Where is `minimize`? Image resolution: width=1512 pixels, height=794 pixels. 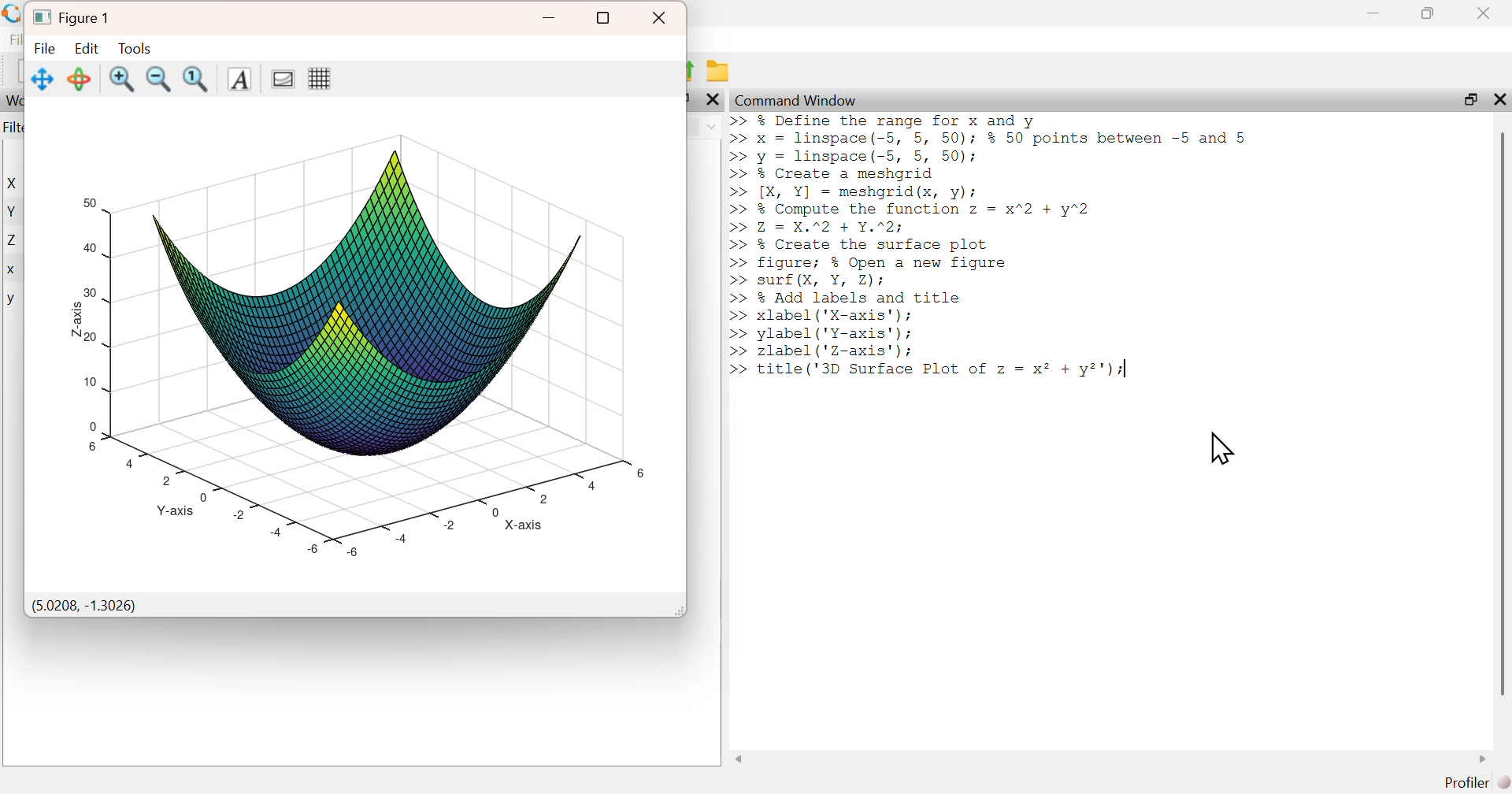
minimize is located at coordinates (1373, 13).